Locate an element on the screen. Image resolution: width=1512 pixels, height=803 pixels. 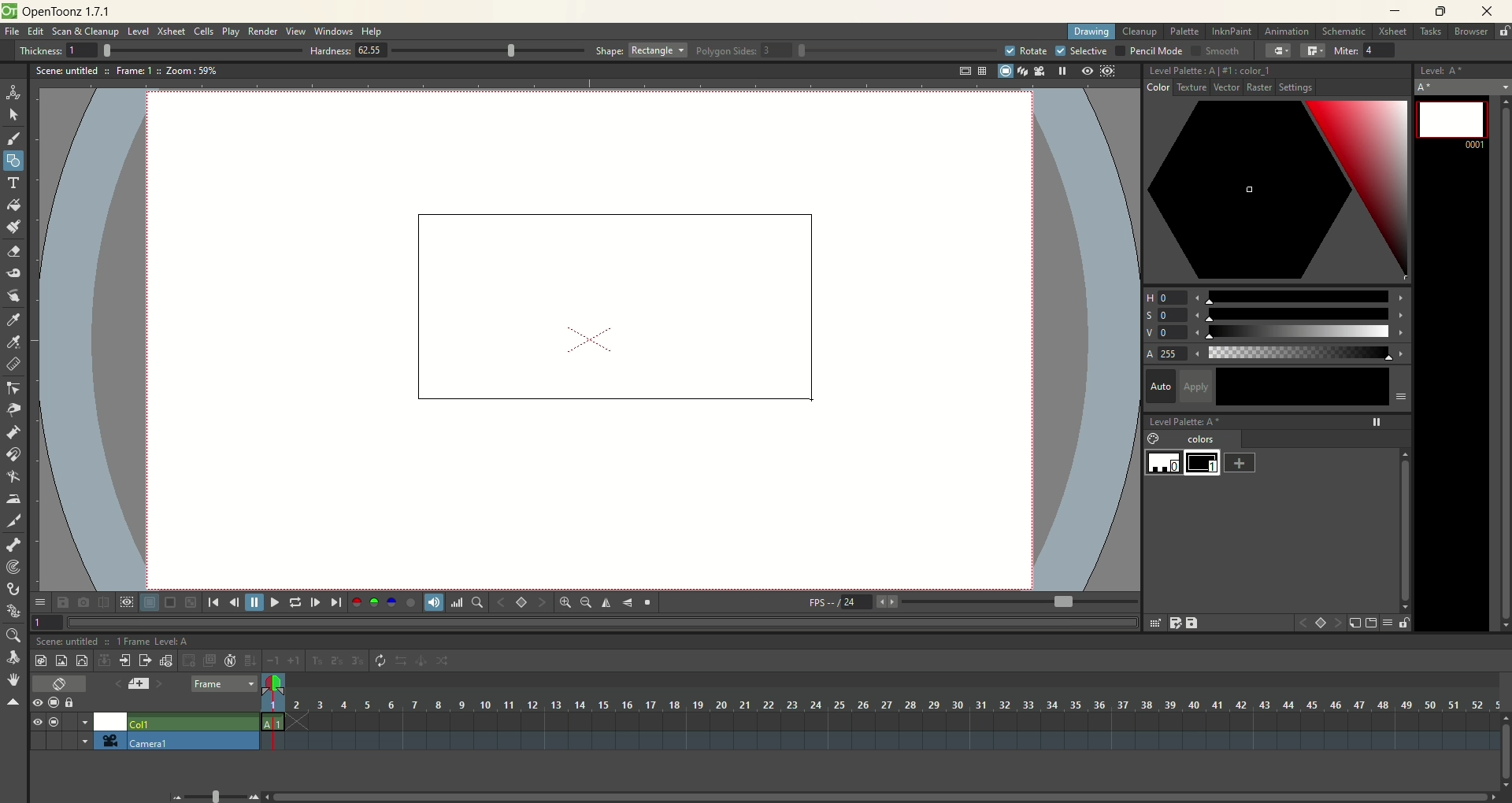
previous frame is located at coordinates (232, 602).